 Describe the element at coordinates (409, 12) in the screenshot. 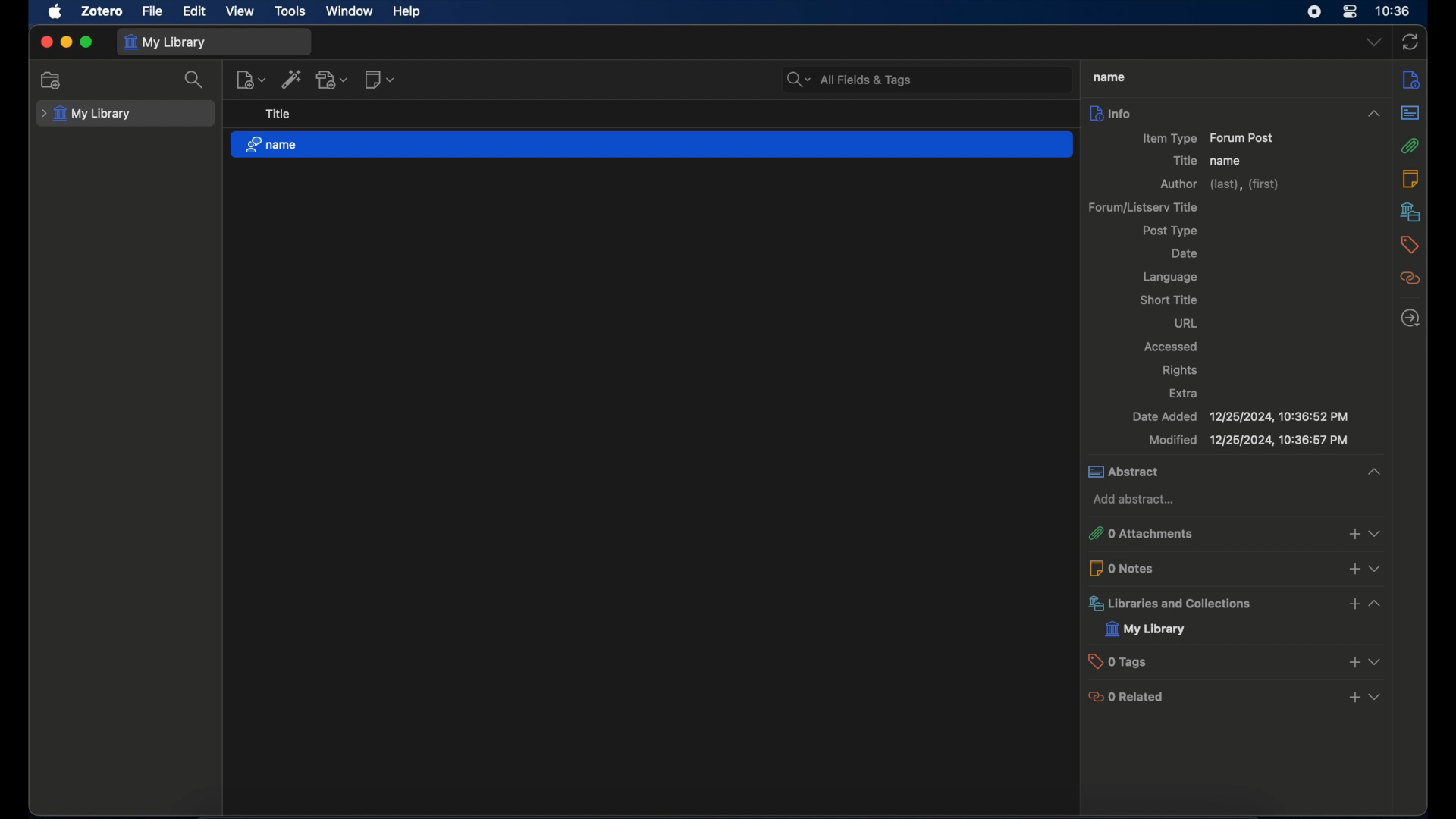

I see `help` at that location.